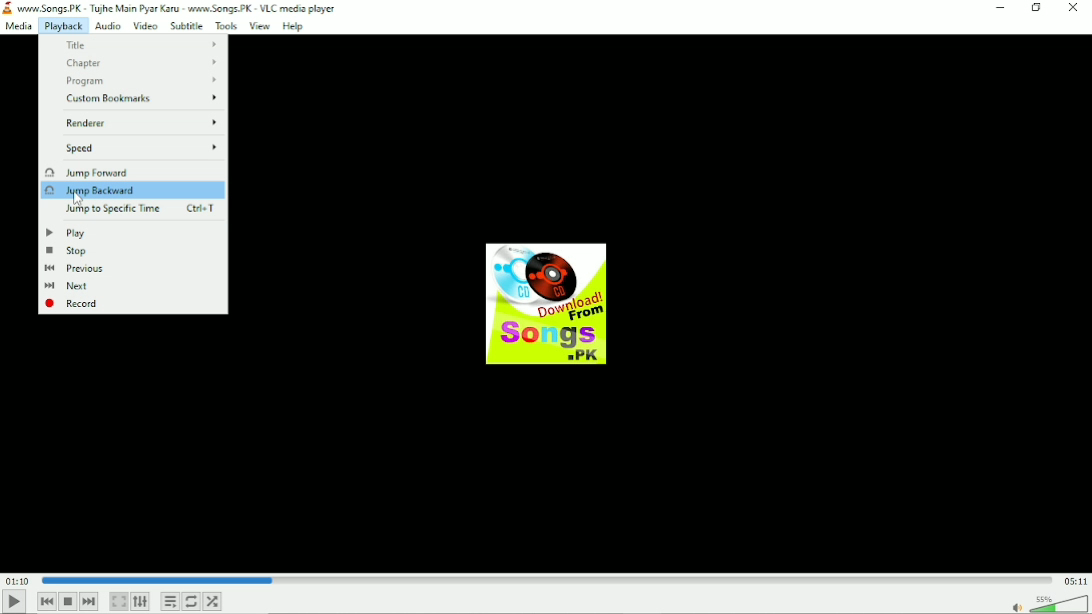 The height and width of the screenshot is (614, 1092). Describe the element at coordinates (140, 602) in the screenshot. I see `Show extended settings` at that location.